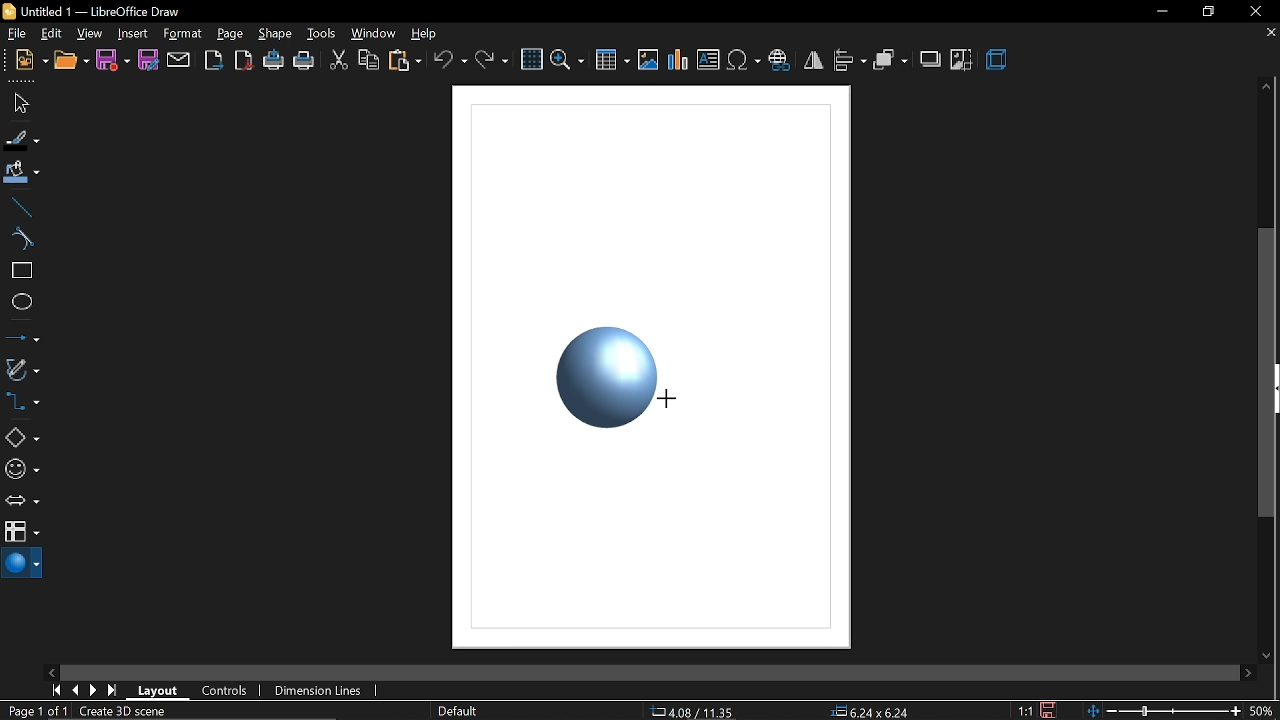 This screenshot has height=720, width=1280. What do you see at coordinates (1268, 86) in the screenshot?
I see `move up` at bounding box center [1268, 86].